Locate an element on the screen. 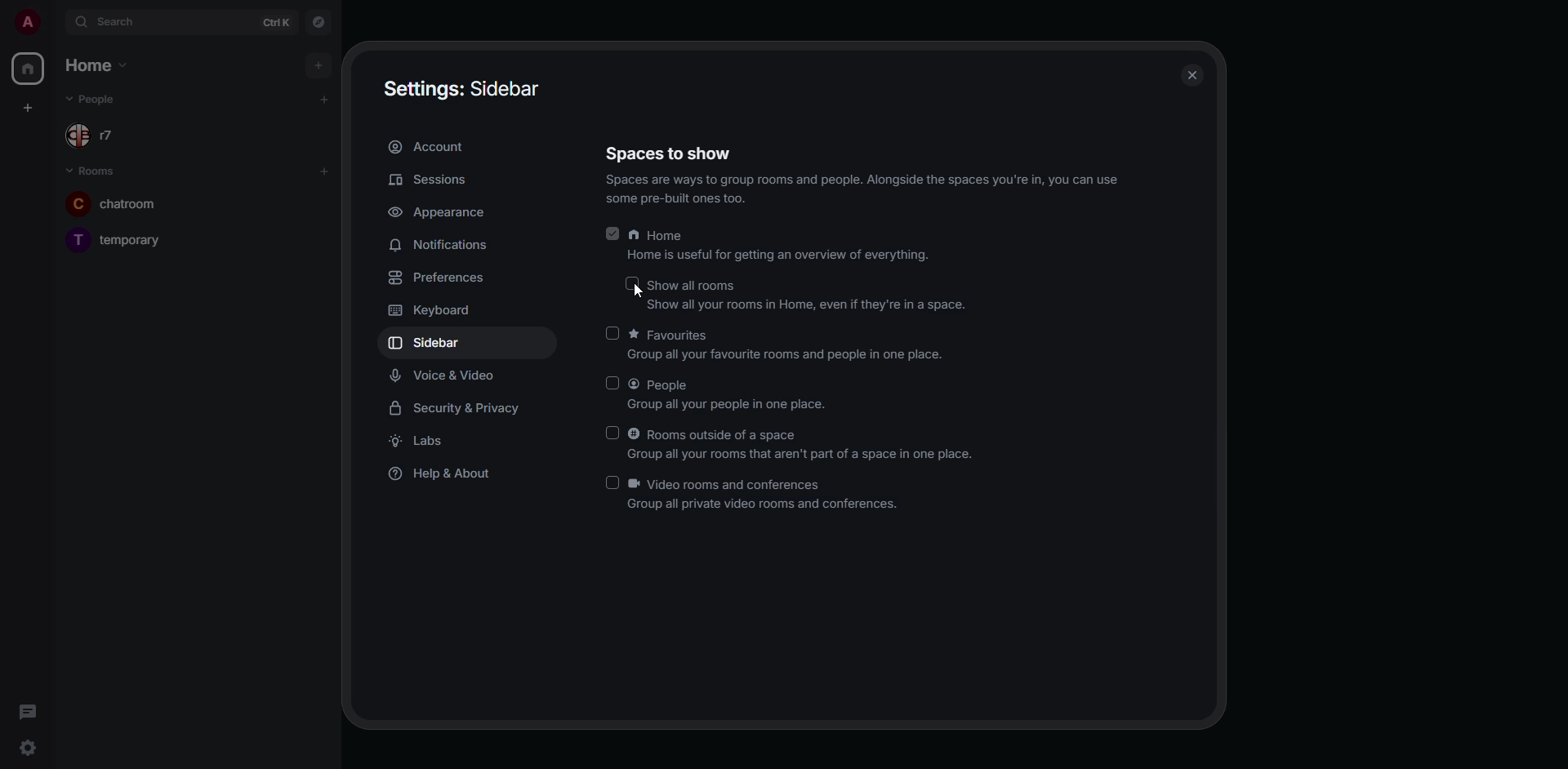  rooms is located at coordinates (99, 171).